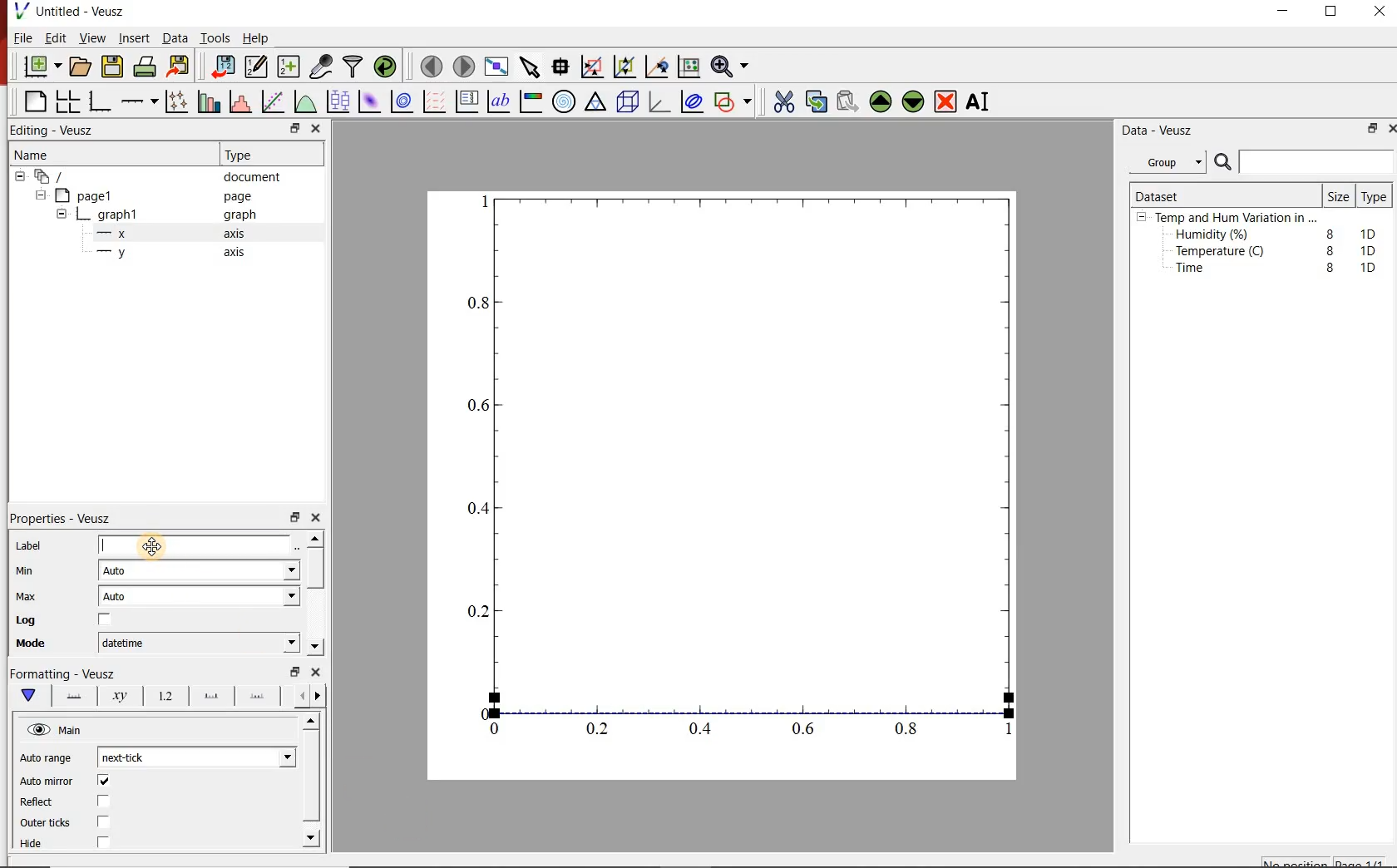 This screenshot has width=1397, height=868. I want to click on Group., so click(1171, 159).